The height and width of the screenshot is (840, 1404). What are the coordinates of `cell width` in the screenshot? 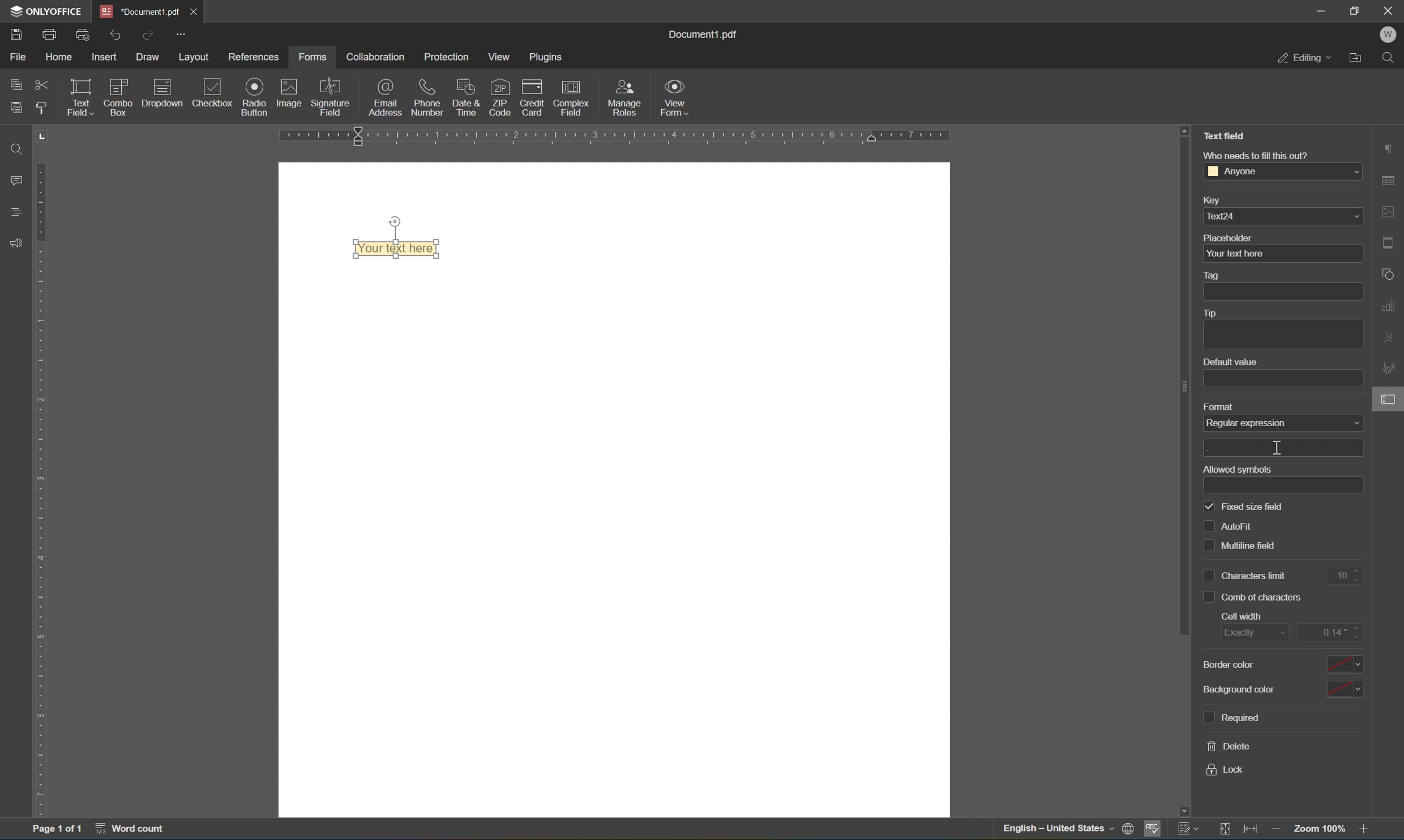 It's located at (1242, 616).